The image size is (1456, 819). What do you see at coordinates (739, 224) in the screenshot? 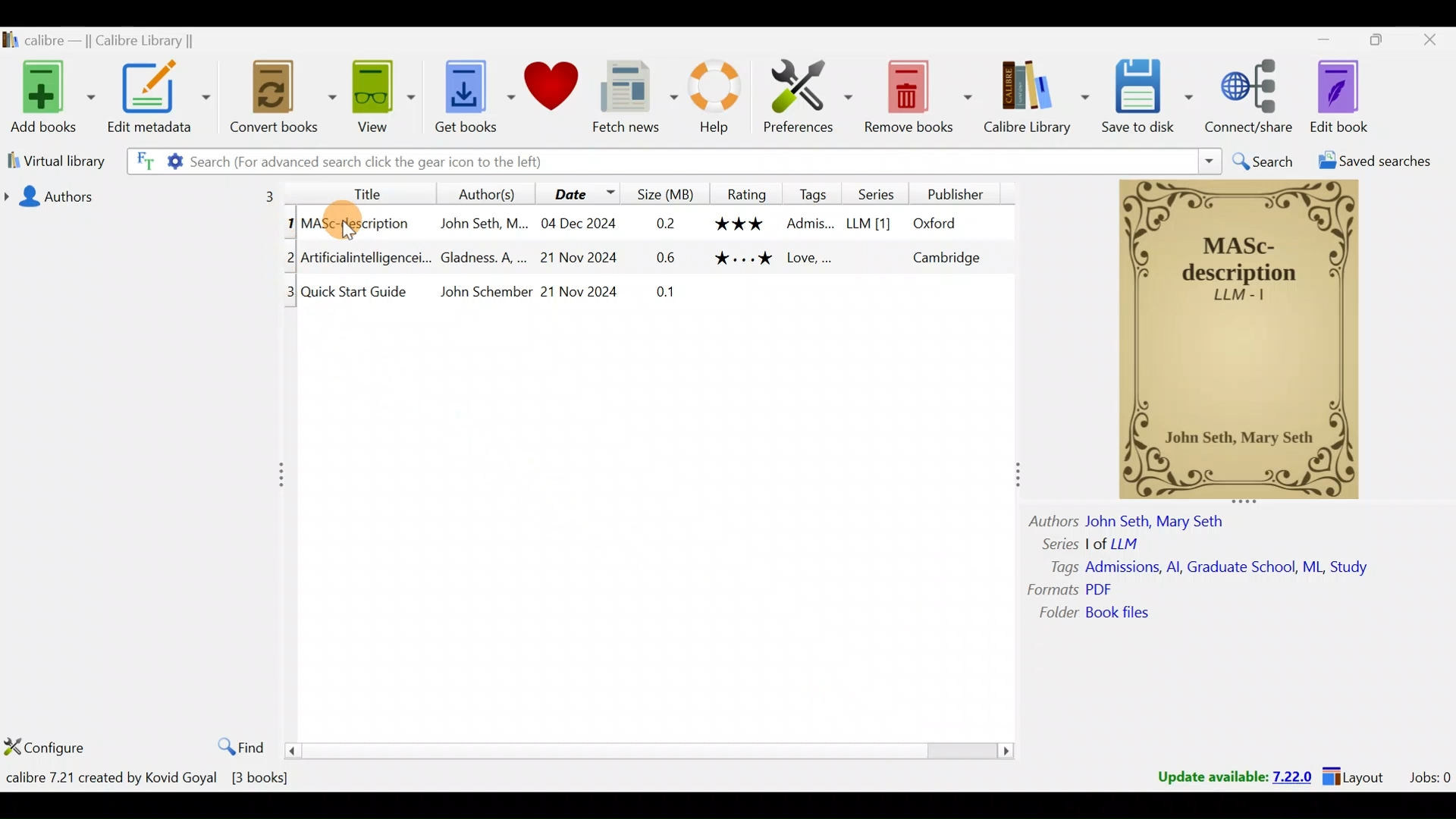
I see `` at bounding box center [739, 224].